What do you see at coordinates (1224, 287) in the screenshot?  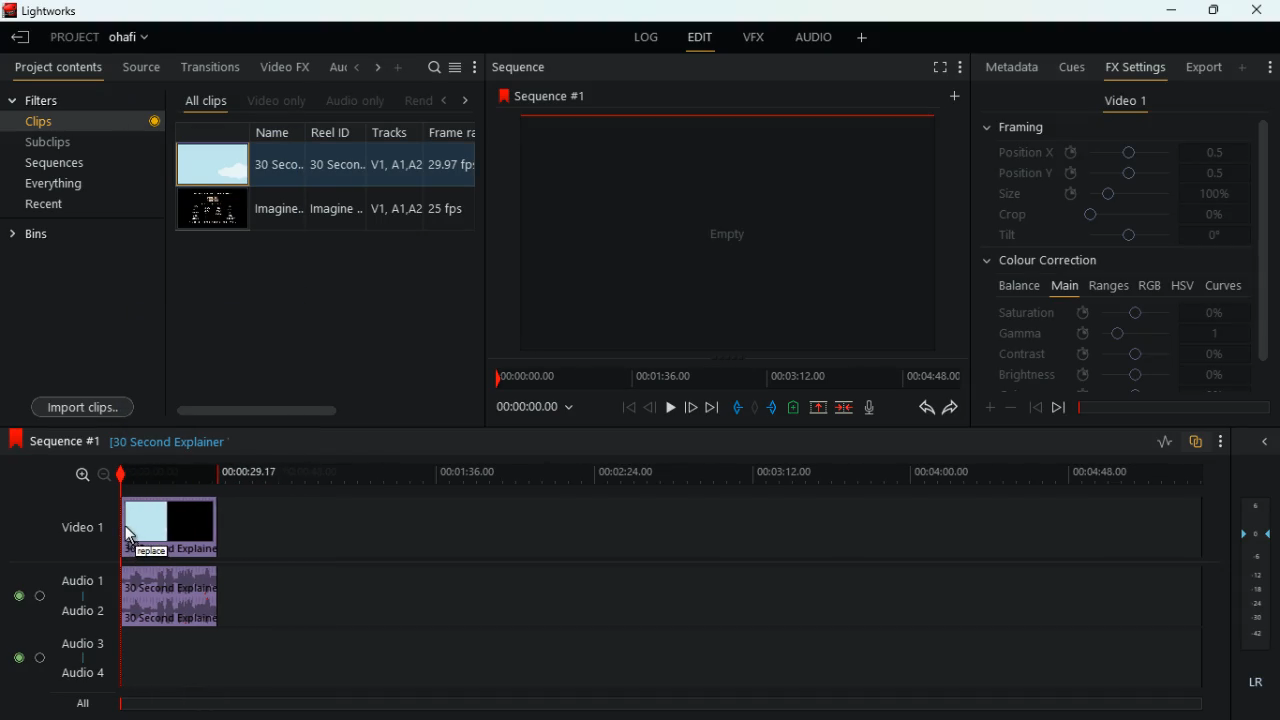 I see `curves` at bounding box center [1224, 287].